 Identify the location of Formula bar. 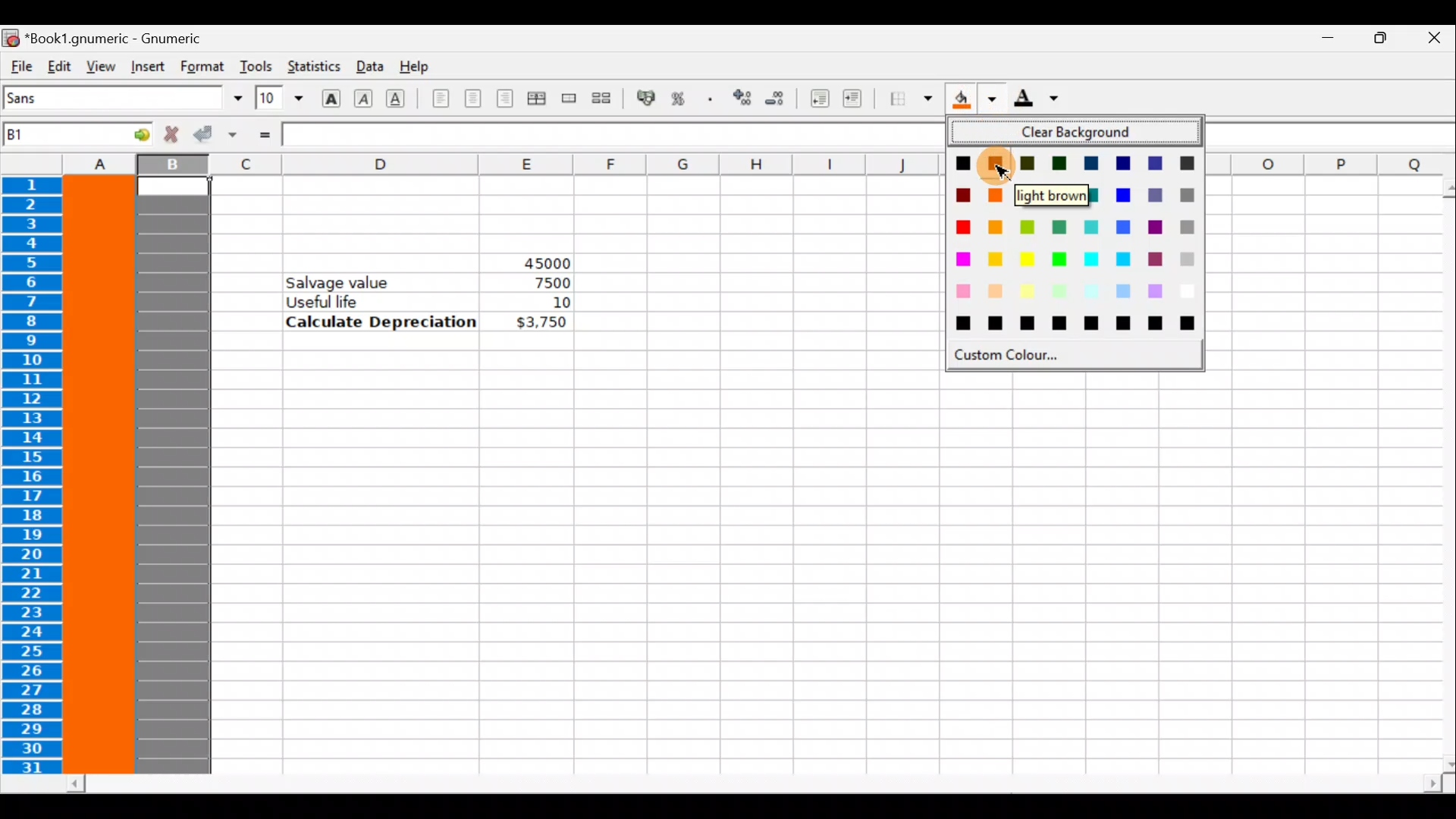
(610, 135).